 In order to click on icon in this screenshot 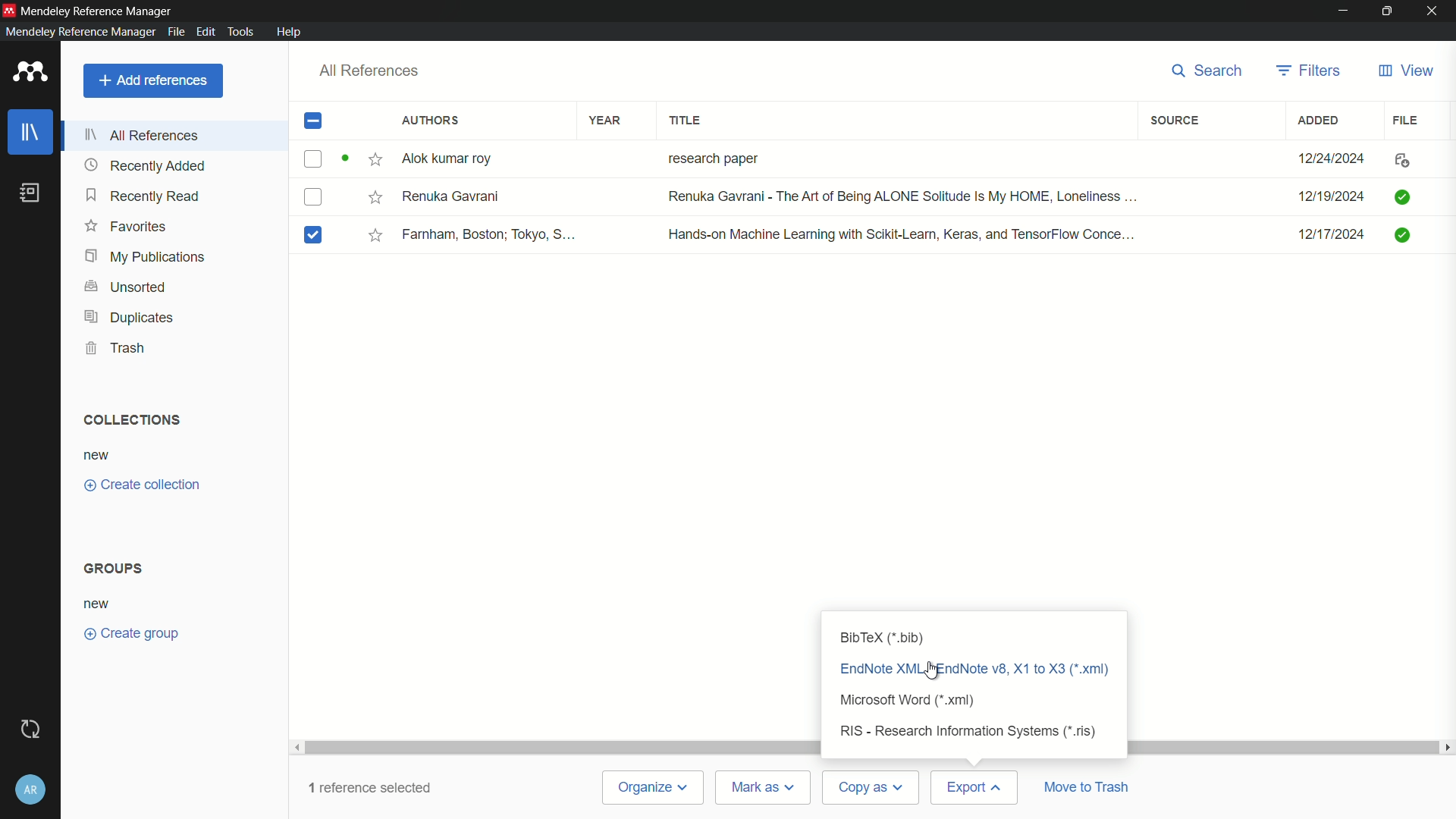, I will do `click(1399, 237)`.